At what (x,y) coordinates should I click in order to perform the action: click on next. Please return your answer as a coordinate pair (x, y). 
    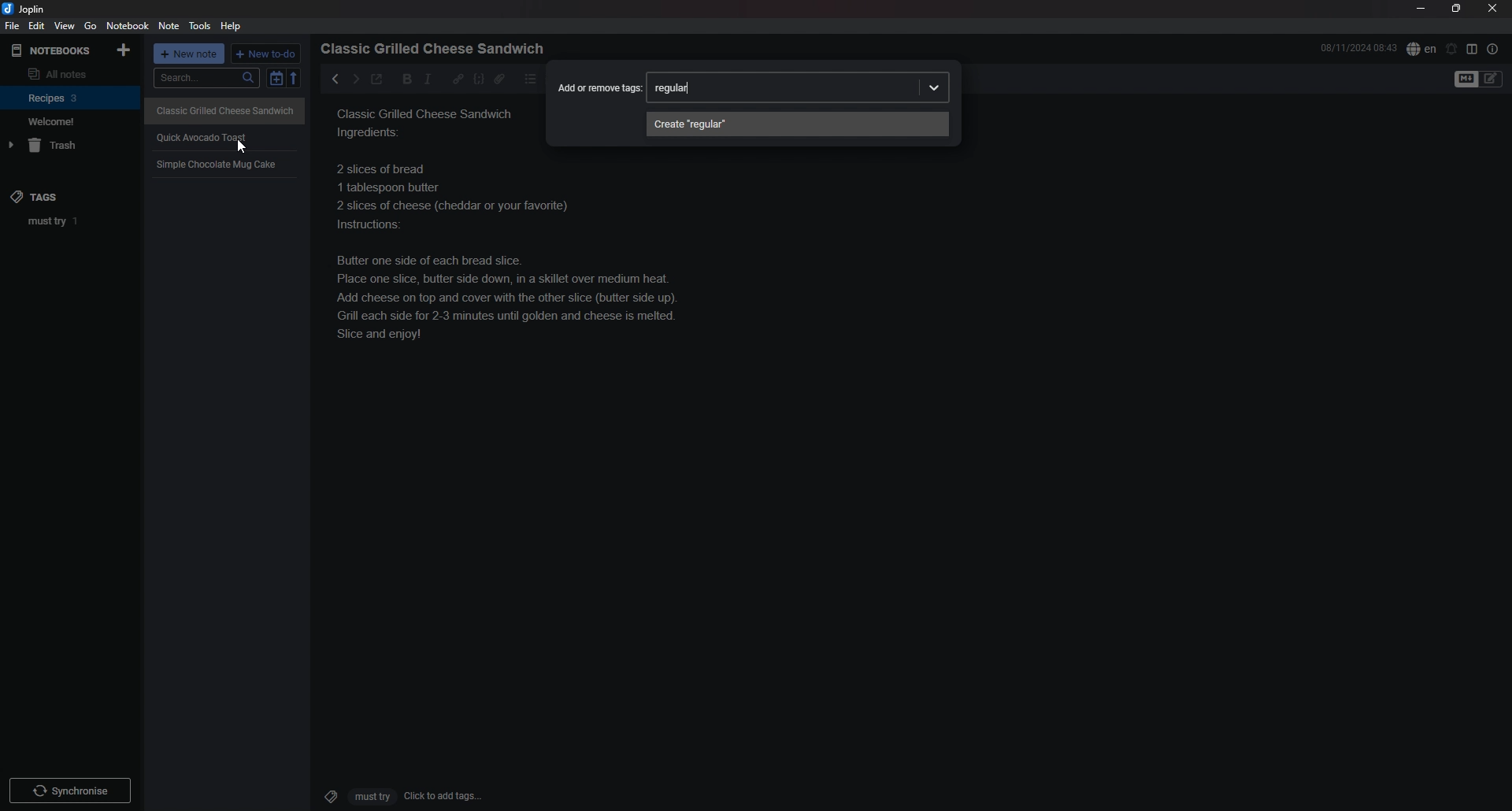
    Looking at the image, I should click on (354, 79).